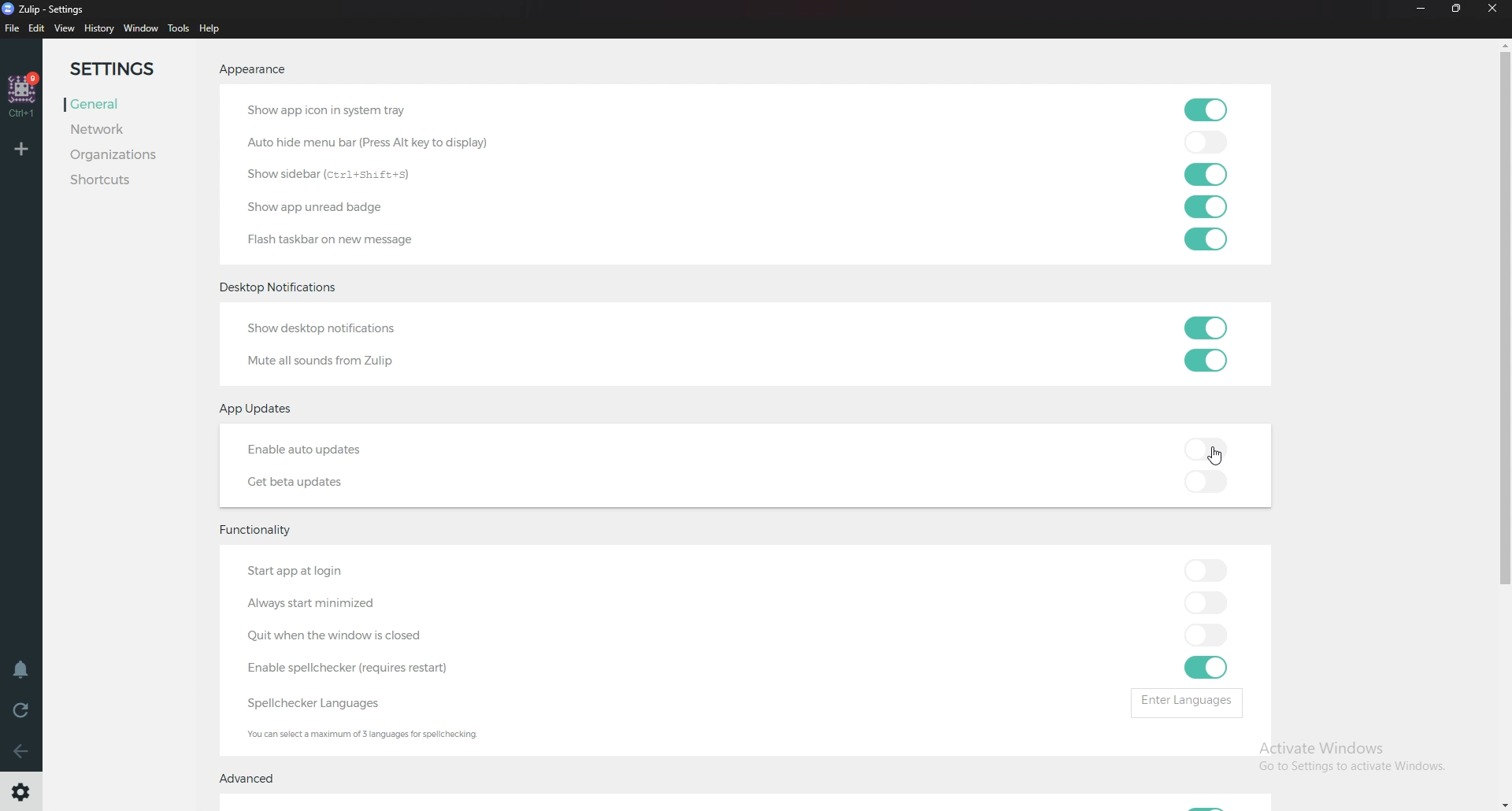  What do you see at coordinates (289, 286) in the screenshot?
I see `desktop notifications` at bounding box center [289, 286].